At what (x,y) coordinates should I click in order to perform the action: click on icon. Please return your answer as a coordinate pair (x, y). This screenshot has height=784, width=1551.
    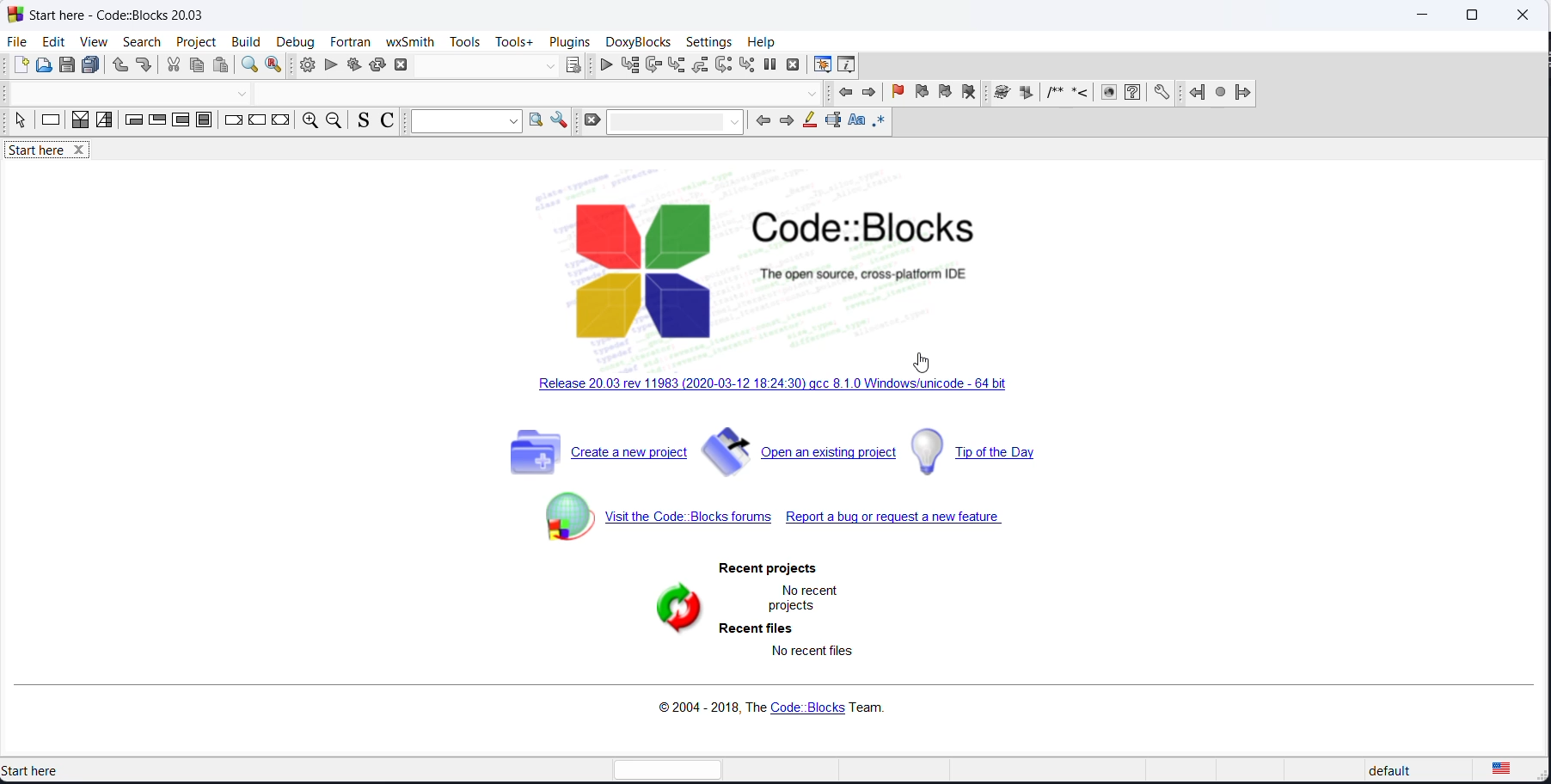
    Looking at the image, I should click on (1027, 94).